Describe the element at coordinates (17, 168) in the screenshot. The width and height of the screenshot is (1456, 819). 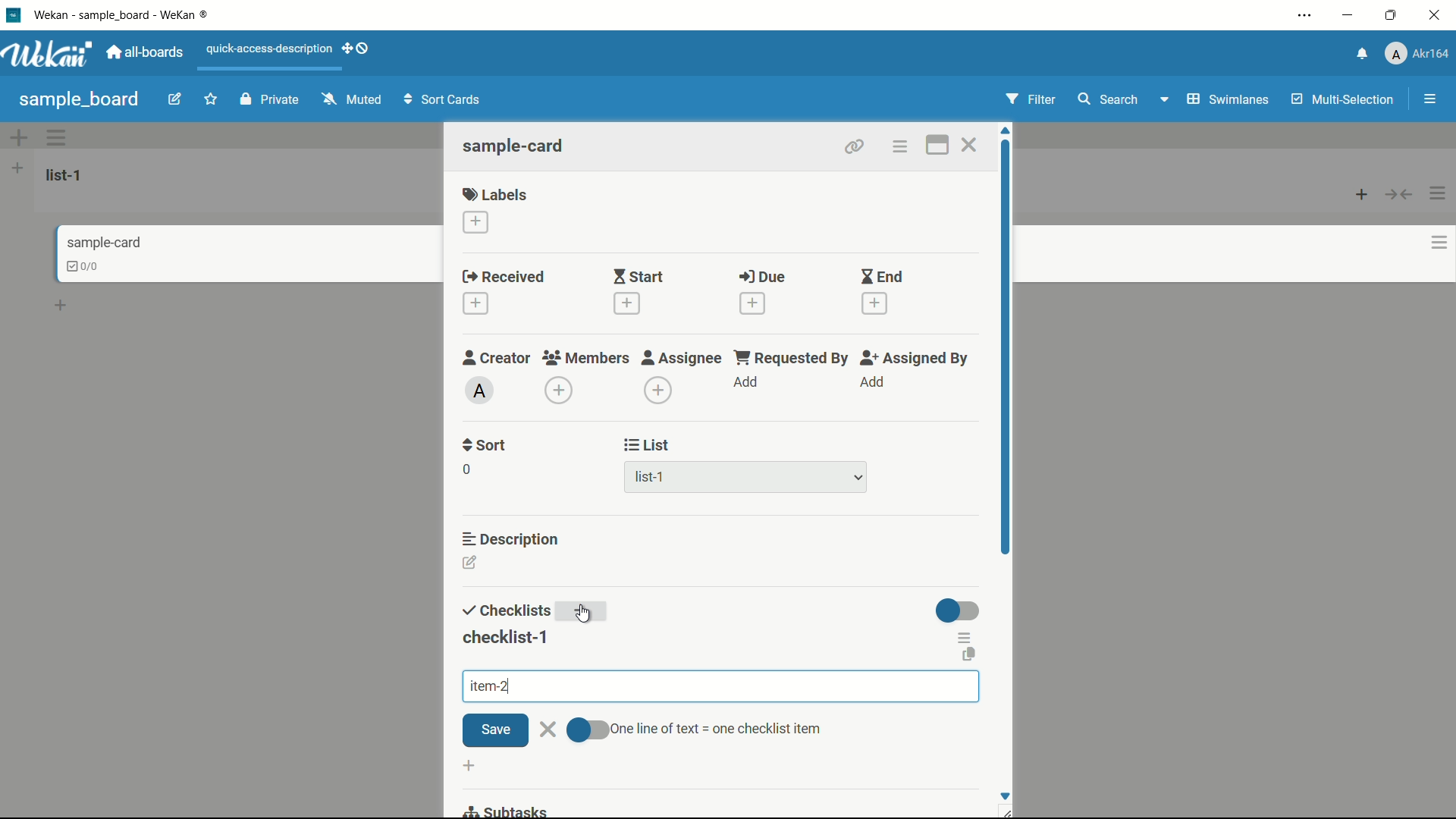
I see `add list` at that location.